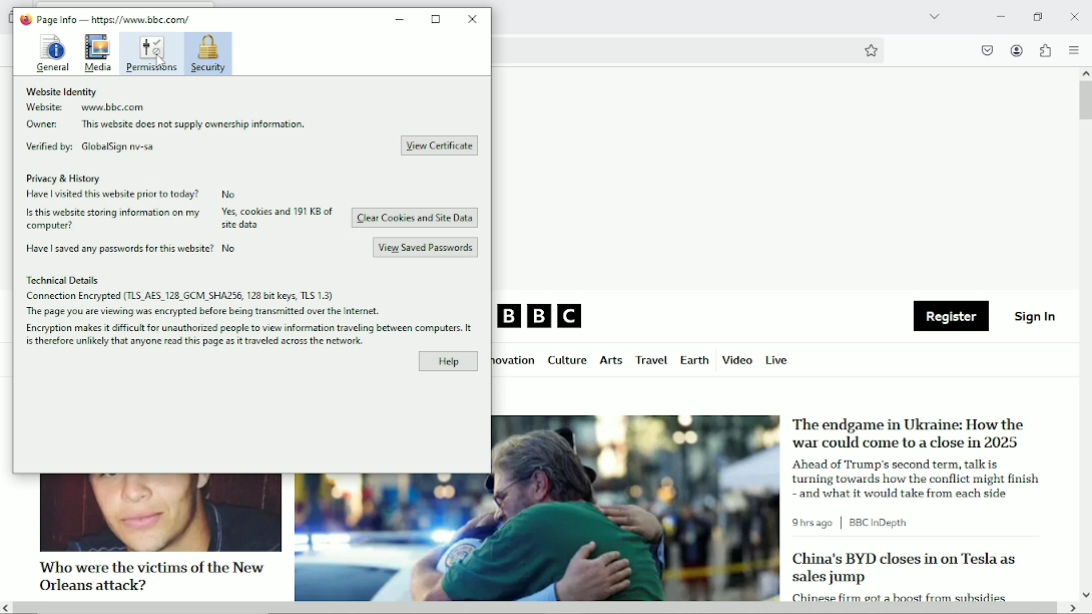 This screenshot has height=614, width=1092. I want to click on scroll up, so click(1085, 73).